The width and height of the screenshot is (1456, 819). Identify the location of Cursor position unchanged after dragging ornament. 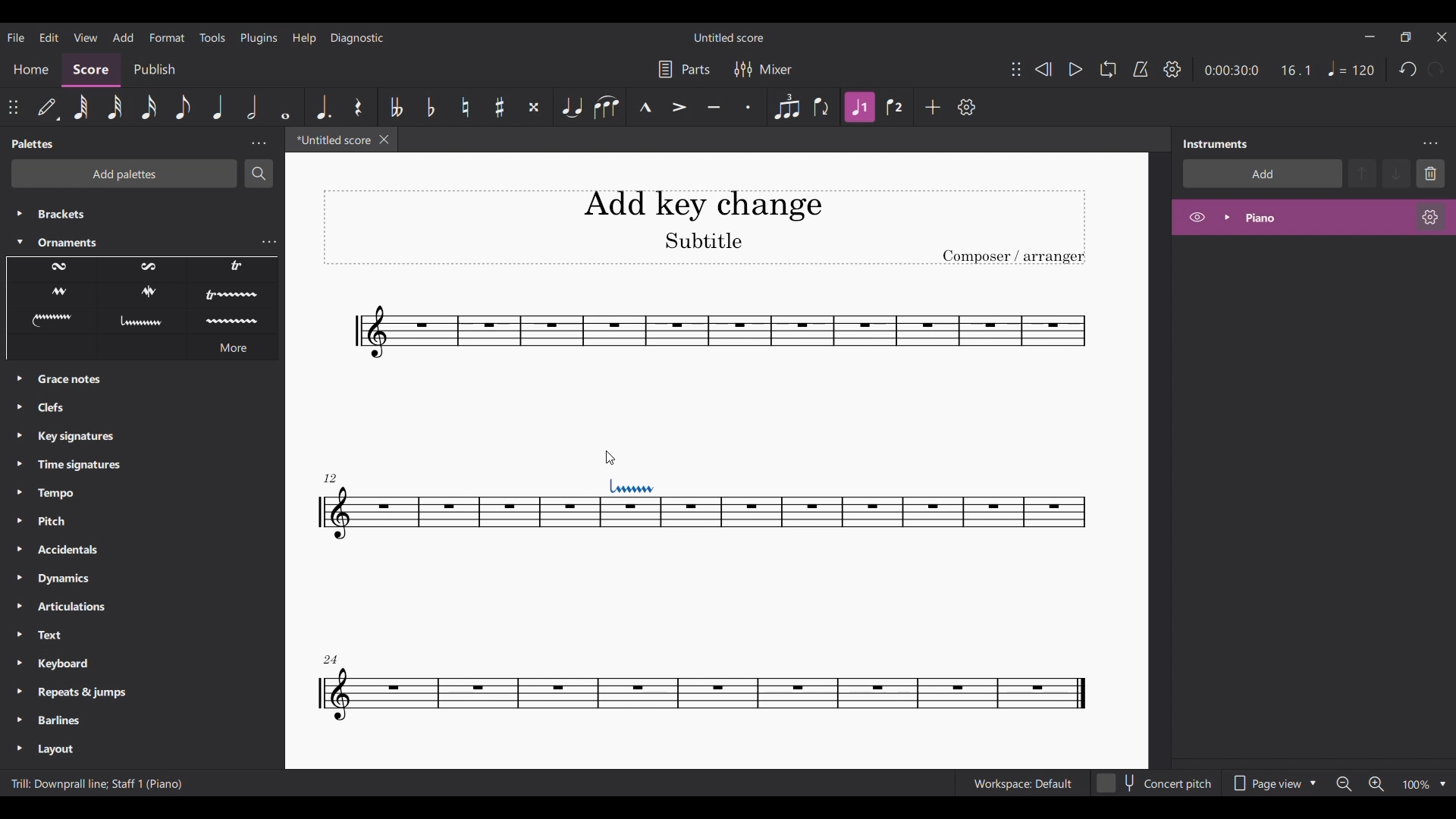
(610, 458).